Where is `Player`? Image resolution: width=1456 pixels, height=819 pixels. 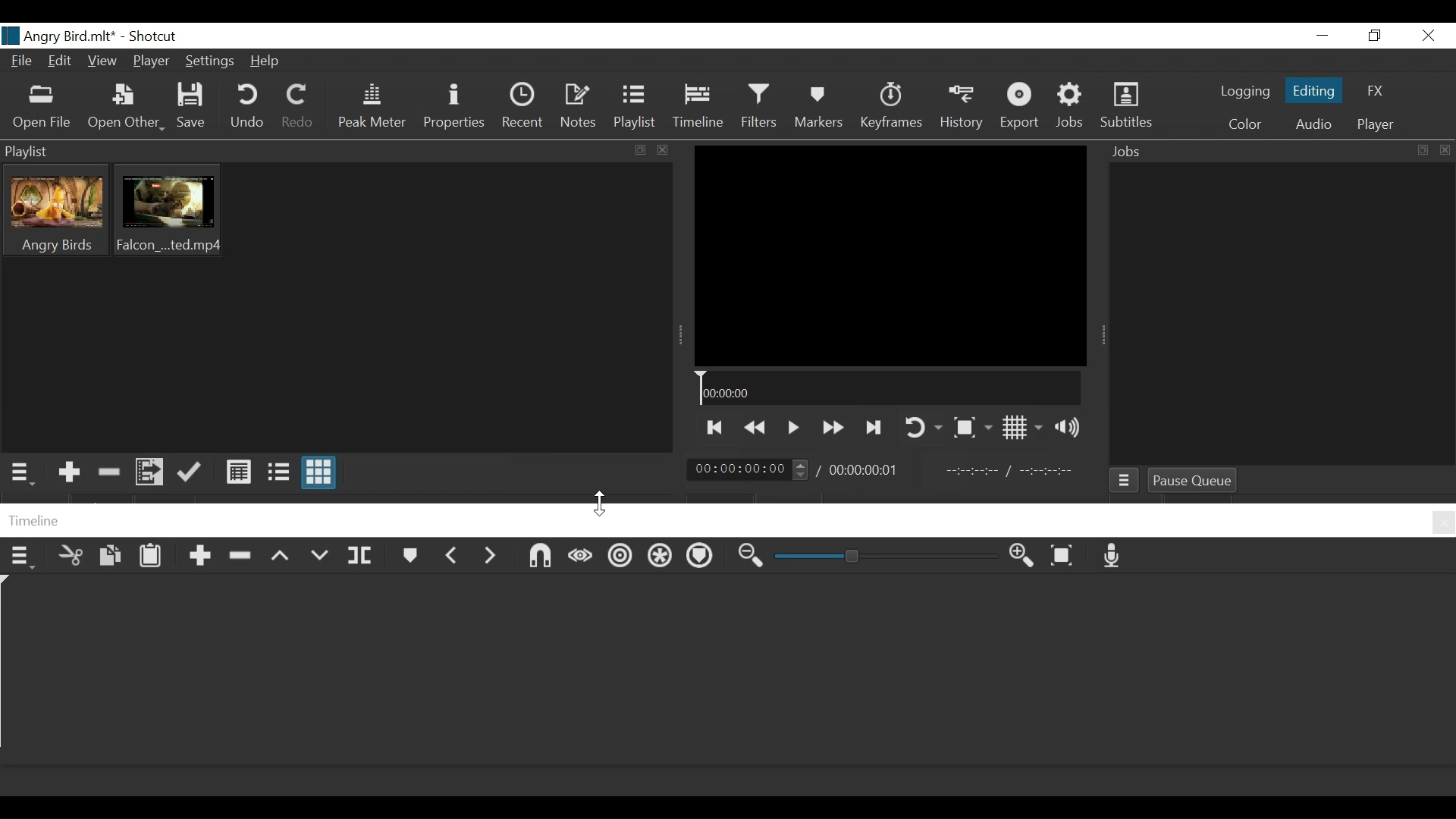 Player is located at coordinates (1373, 125).